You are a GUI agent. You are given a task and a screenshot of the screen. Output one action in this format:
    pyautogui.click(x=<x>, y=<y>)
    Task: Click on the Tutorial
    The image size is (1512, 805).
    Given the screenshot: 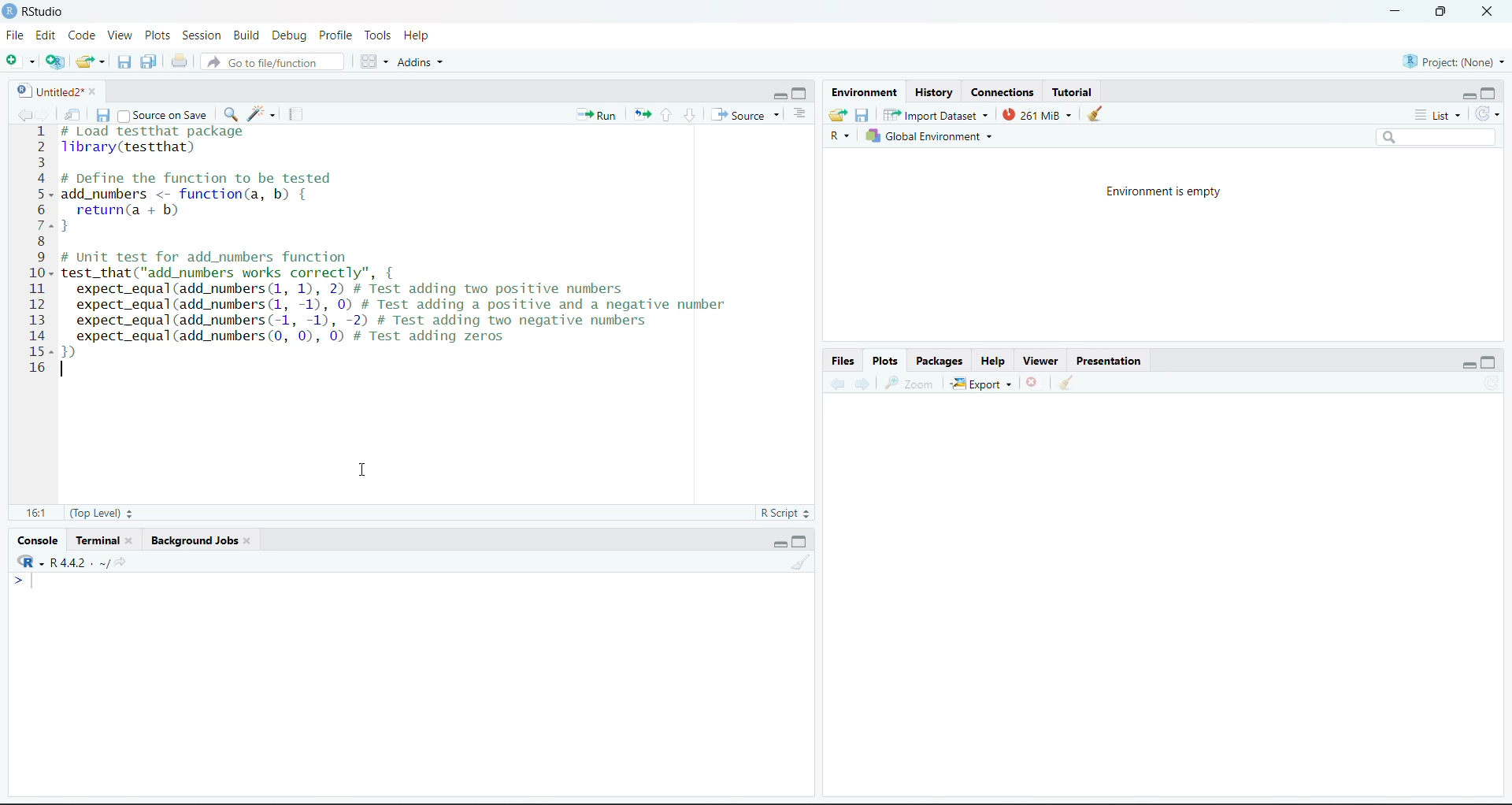 What is the action you would take?
    pyautogui.click(x=1075, y=91)
    